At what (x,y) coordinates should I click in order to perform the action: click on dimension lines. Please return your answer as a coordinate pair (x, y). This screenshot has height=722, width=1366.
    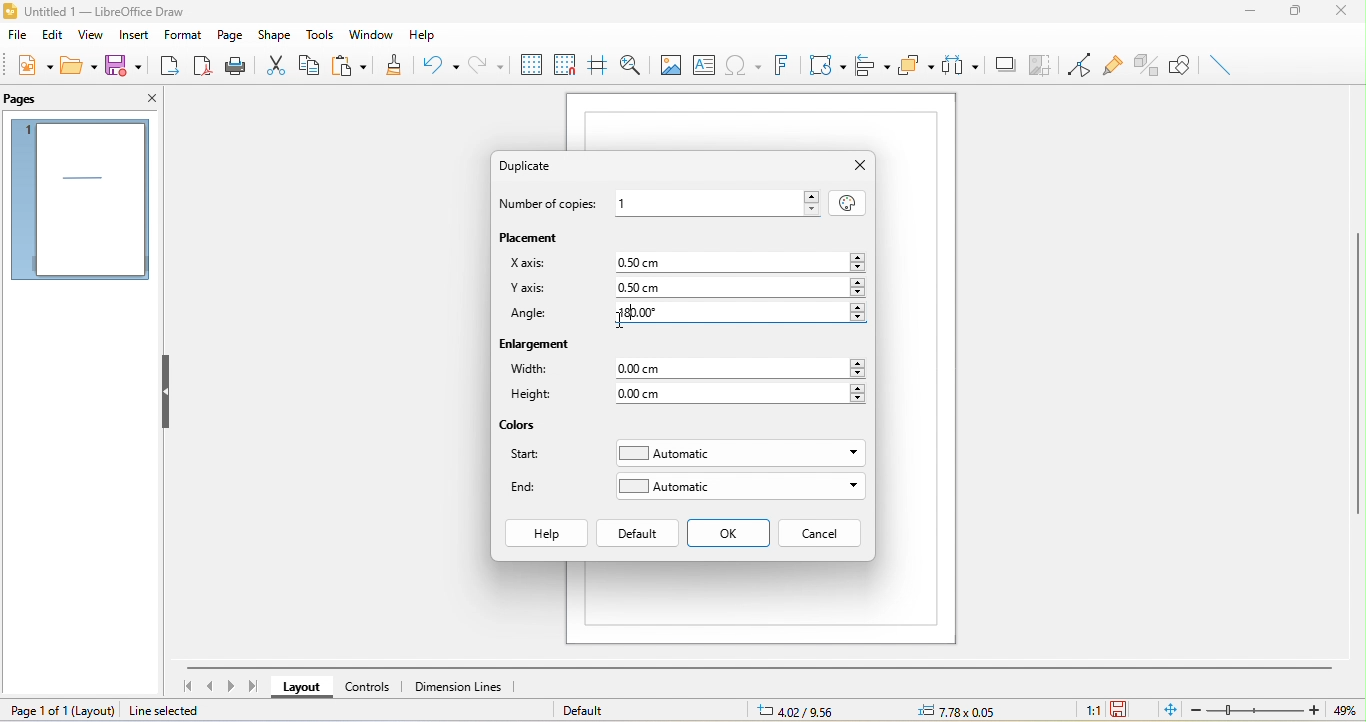
    Looking at the image, I should click on (467, 687).